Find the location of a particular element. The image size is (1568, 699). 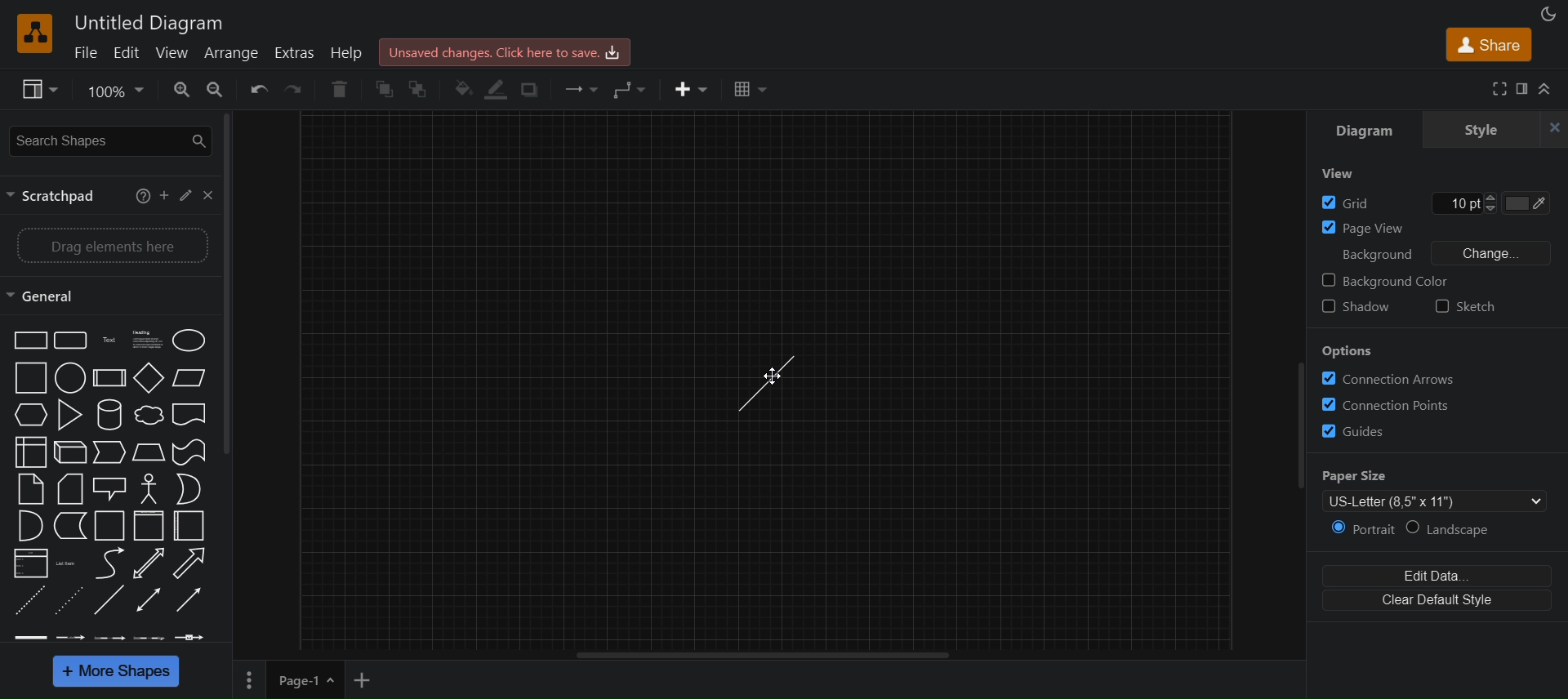

US-Letter (8,5" x 117)  is located at coordinates (1427, 503).